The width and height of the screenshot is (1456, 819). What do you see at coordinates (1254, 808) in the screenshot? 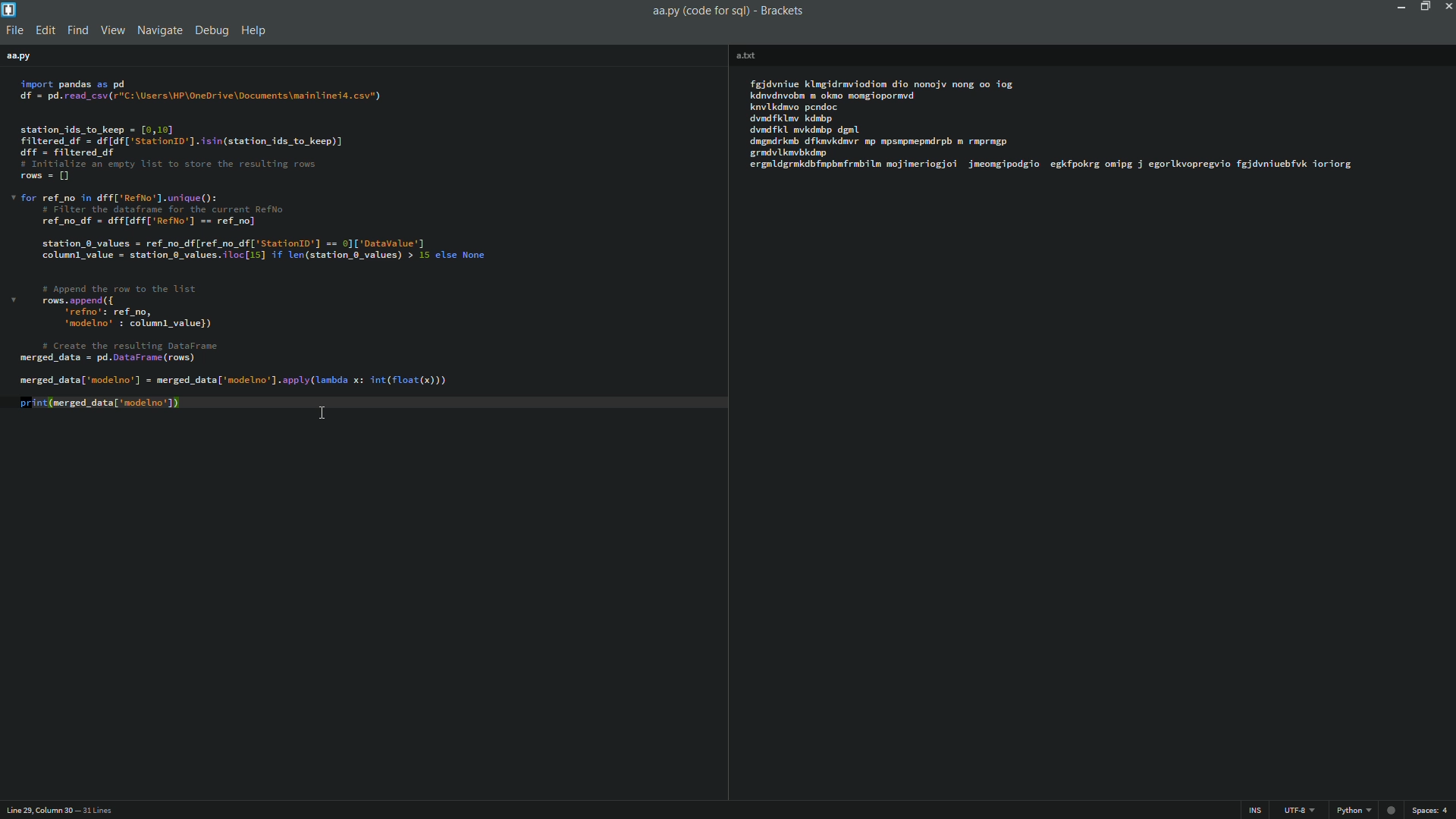
I see `ins` at bounding box center [1254, 808].